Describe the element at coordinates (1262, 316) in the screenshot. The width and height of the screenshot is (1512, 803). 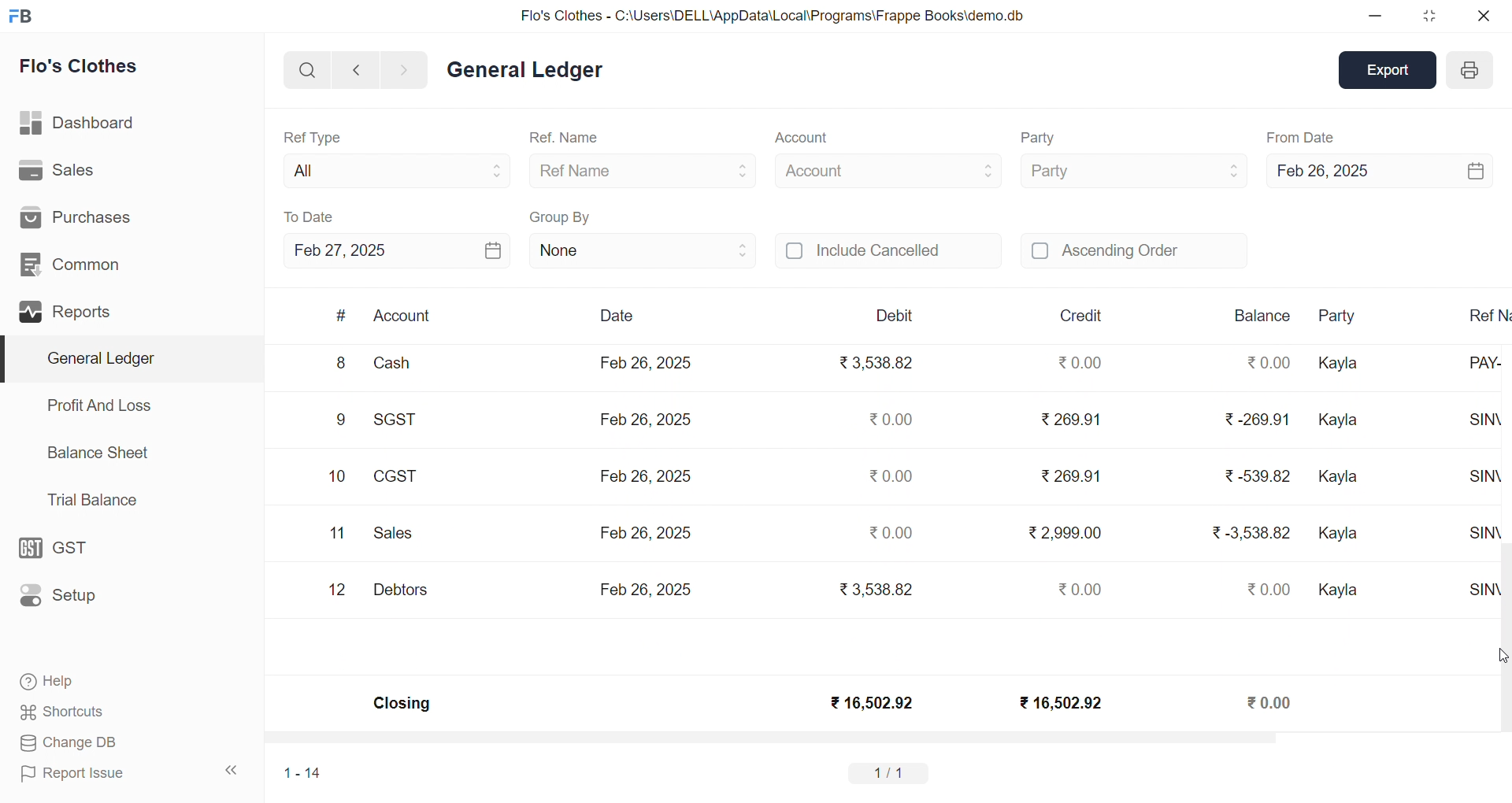
I see `Balance` at that location.